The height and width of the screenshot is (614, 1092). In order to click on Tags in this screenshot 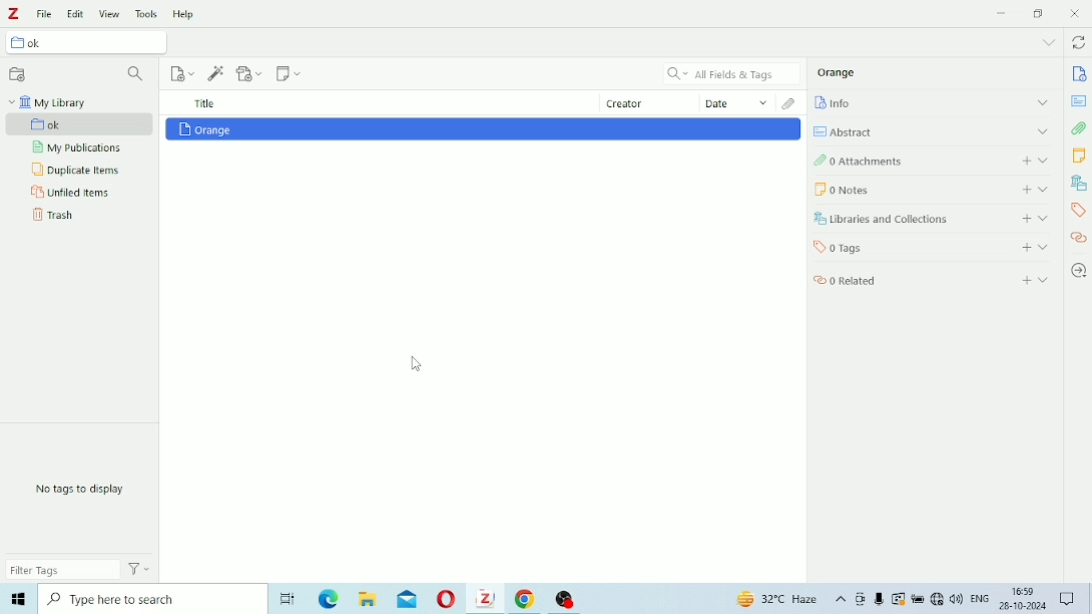, I will do `click(932, 246)`.